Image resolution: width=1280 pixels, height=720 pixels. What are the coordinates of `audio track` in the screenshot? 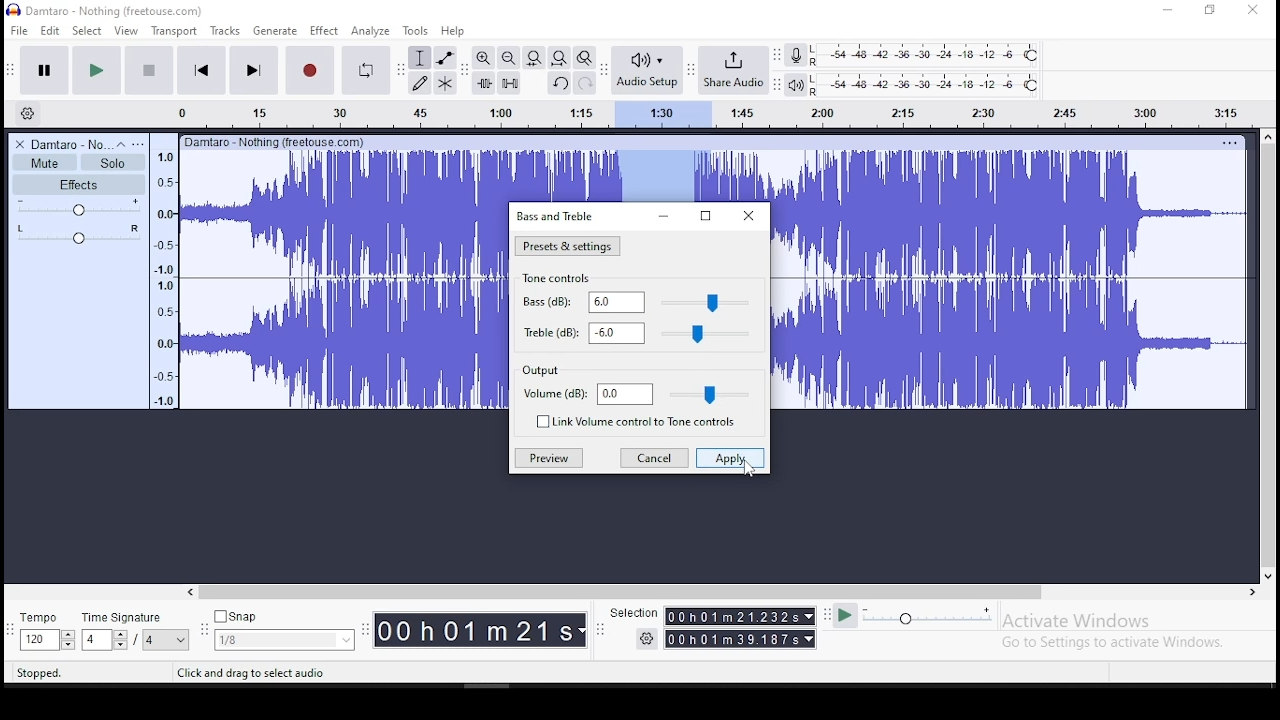 It's located at (1013, 344).